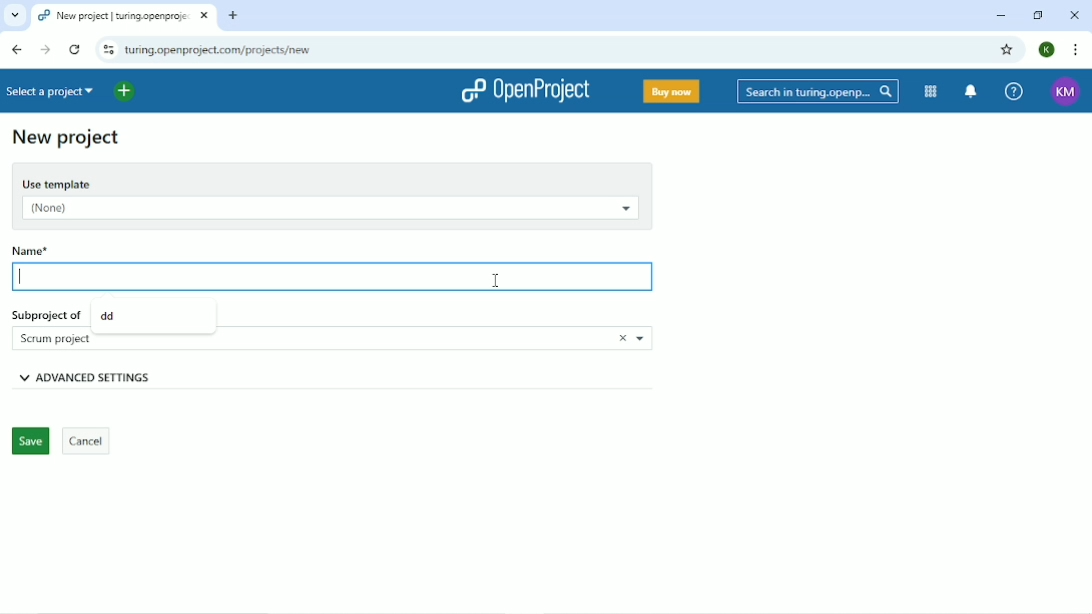 This screenshot has height=614, width=1092. Describe the element at coordinates (61, 248) in the screenshot. I see `Name*` at that location.